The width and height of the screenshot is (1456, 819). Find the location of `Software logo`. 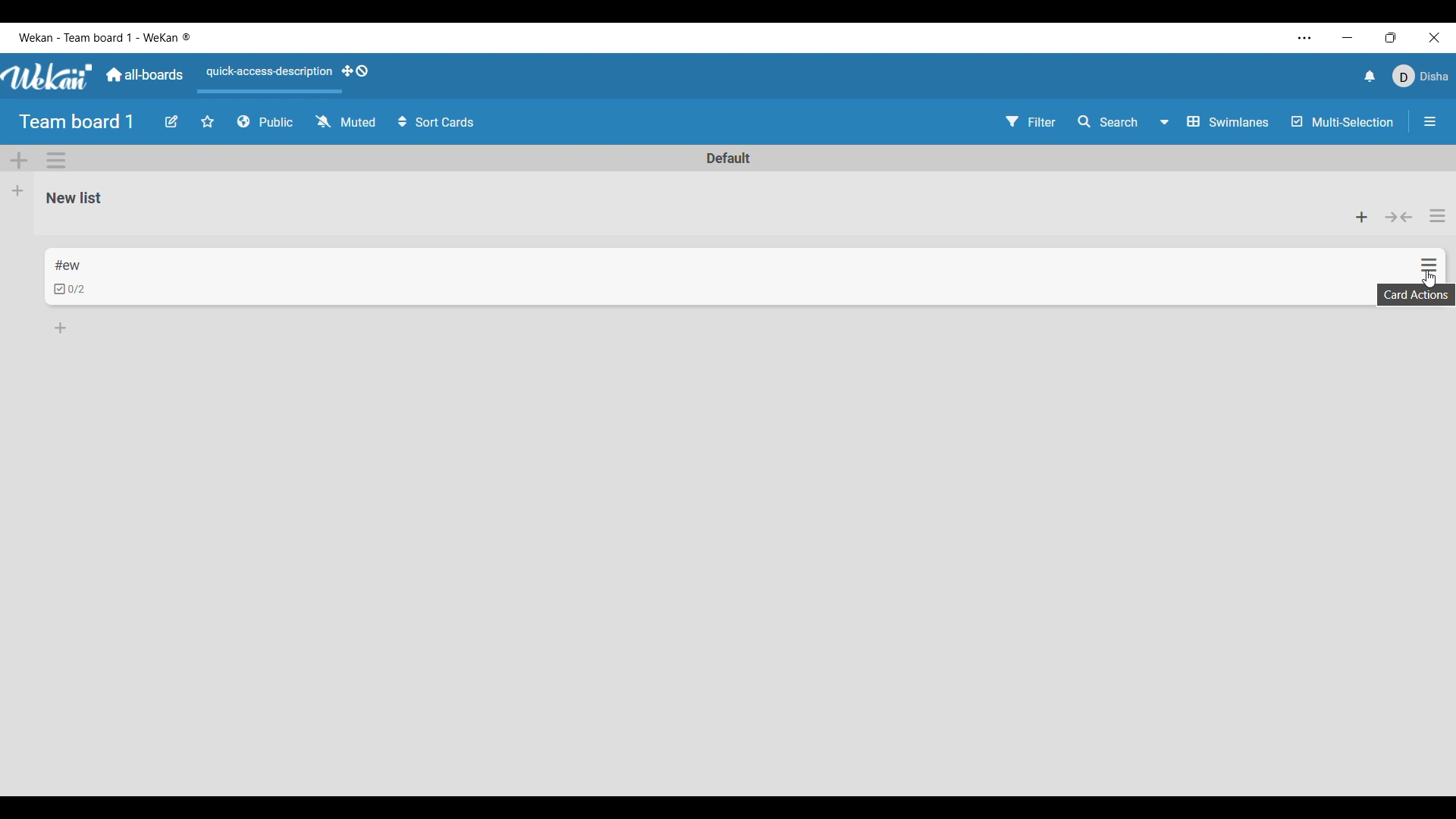

Software logo is located at coordinates (49, 77).